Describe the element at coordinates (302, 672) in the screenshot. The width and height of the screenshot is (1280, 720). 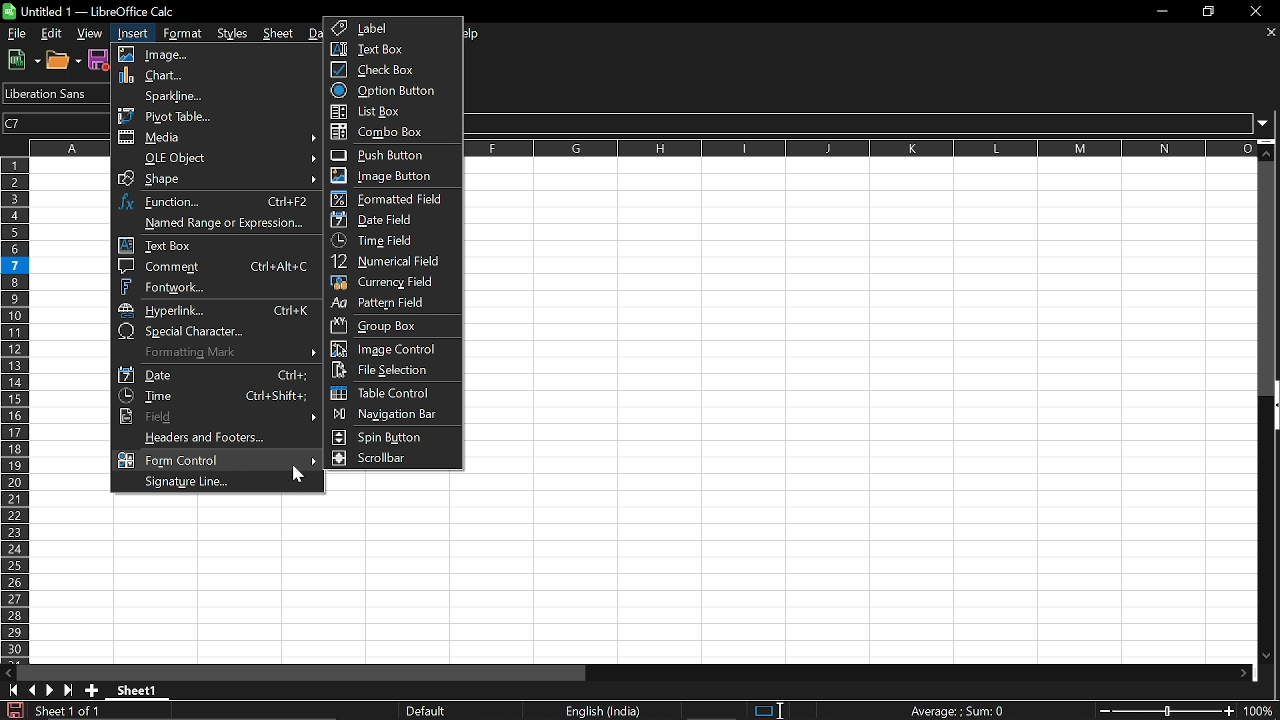
I see `Horizontal scrollbar` at that location.